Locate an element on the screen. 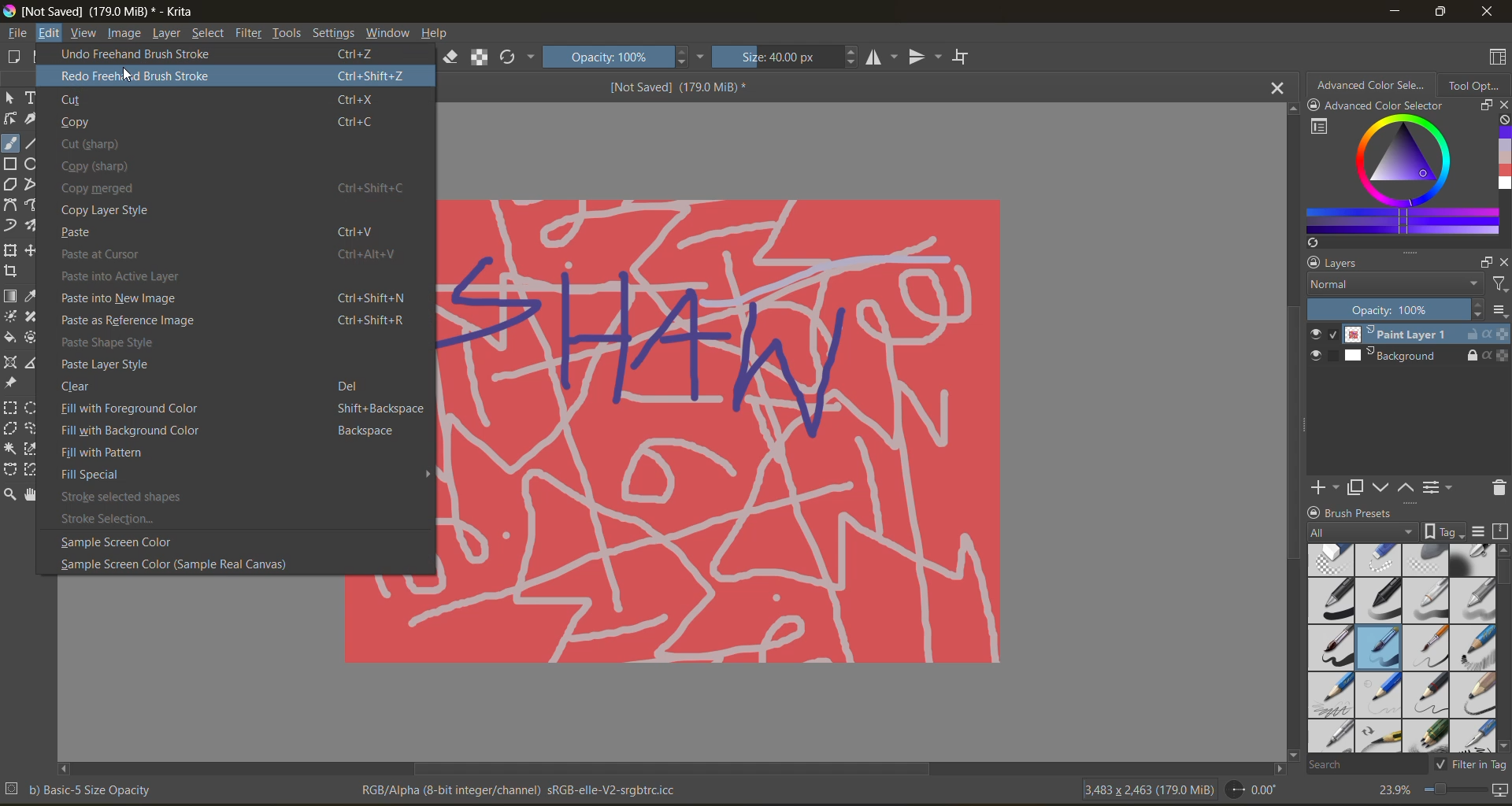  filters is located at coordinates (248, 33).